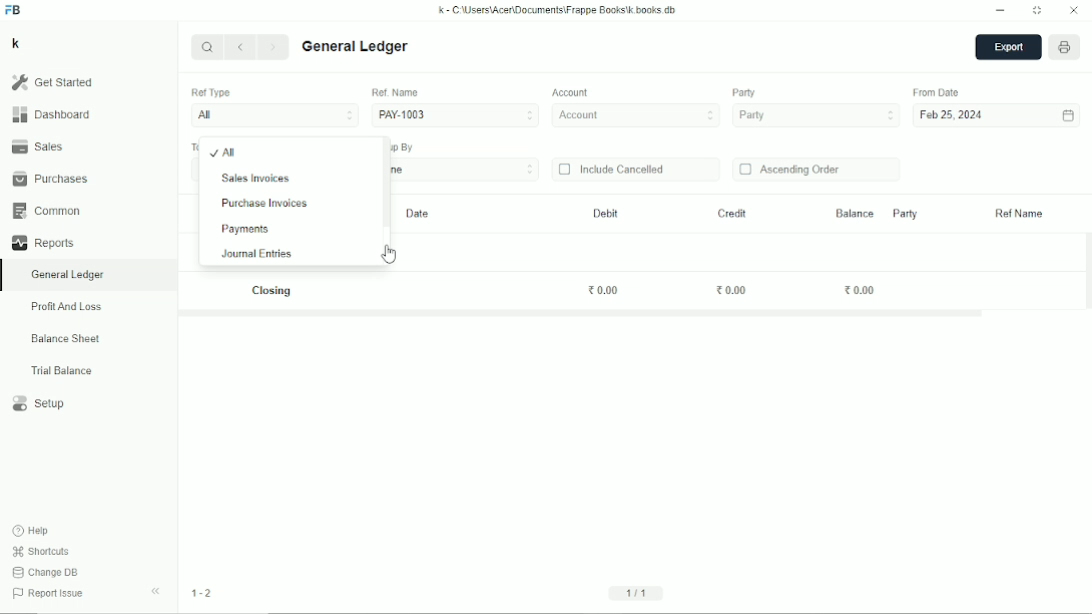 This screenshot has height=614, width=1092. Describe the element at coordinates (66, 338) in the screenshot. I see `Balance sheet` at that location.